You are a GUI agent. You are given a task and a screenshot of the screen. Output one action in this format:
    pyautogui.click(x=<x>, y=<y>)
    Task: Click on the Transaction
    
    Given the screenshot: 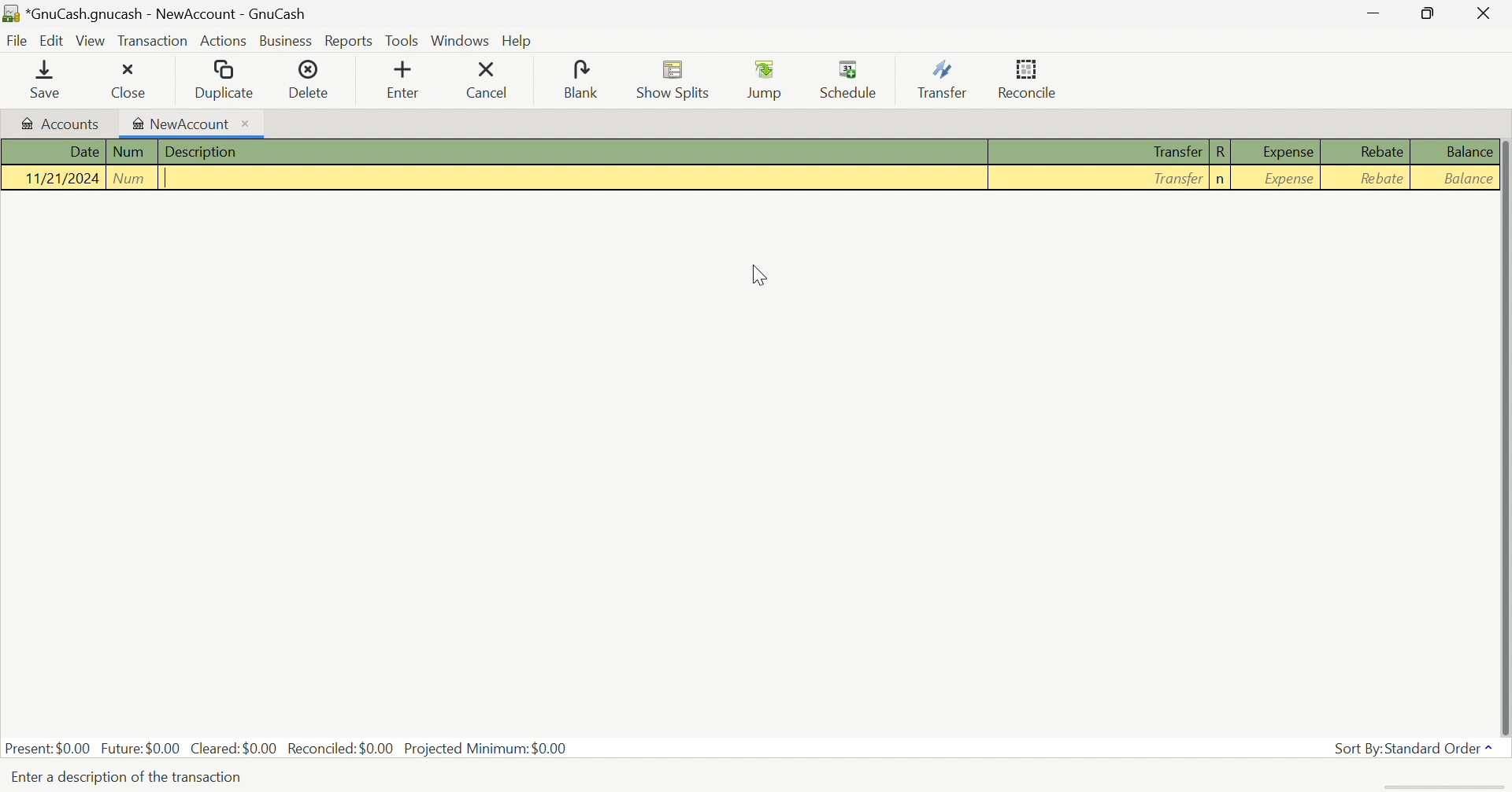 What is the action you would take?
    pyautogui.click(x=152, y=44)
    